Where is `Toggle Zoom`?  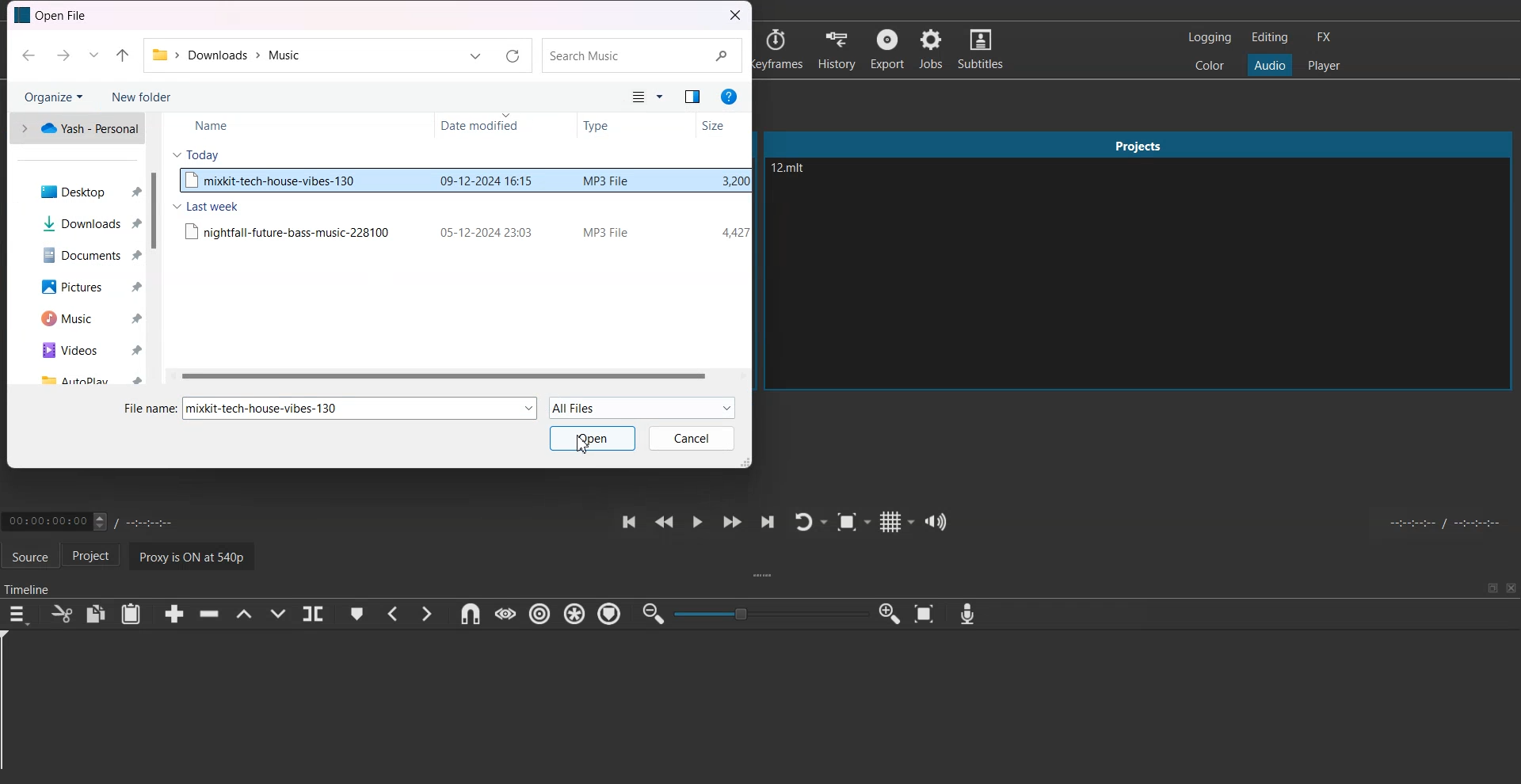
Toggle Zoom is located at coordinates (855, 523).